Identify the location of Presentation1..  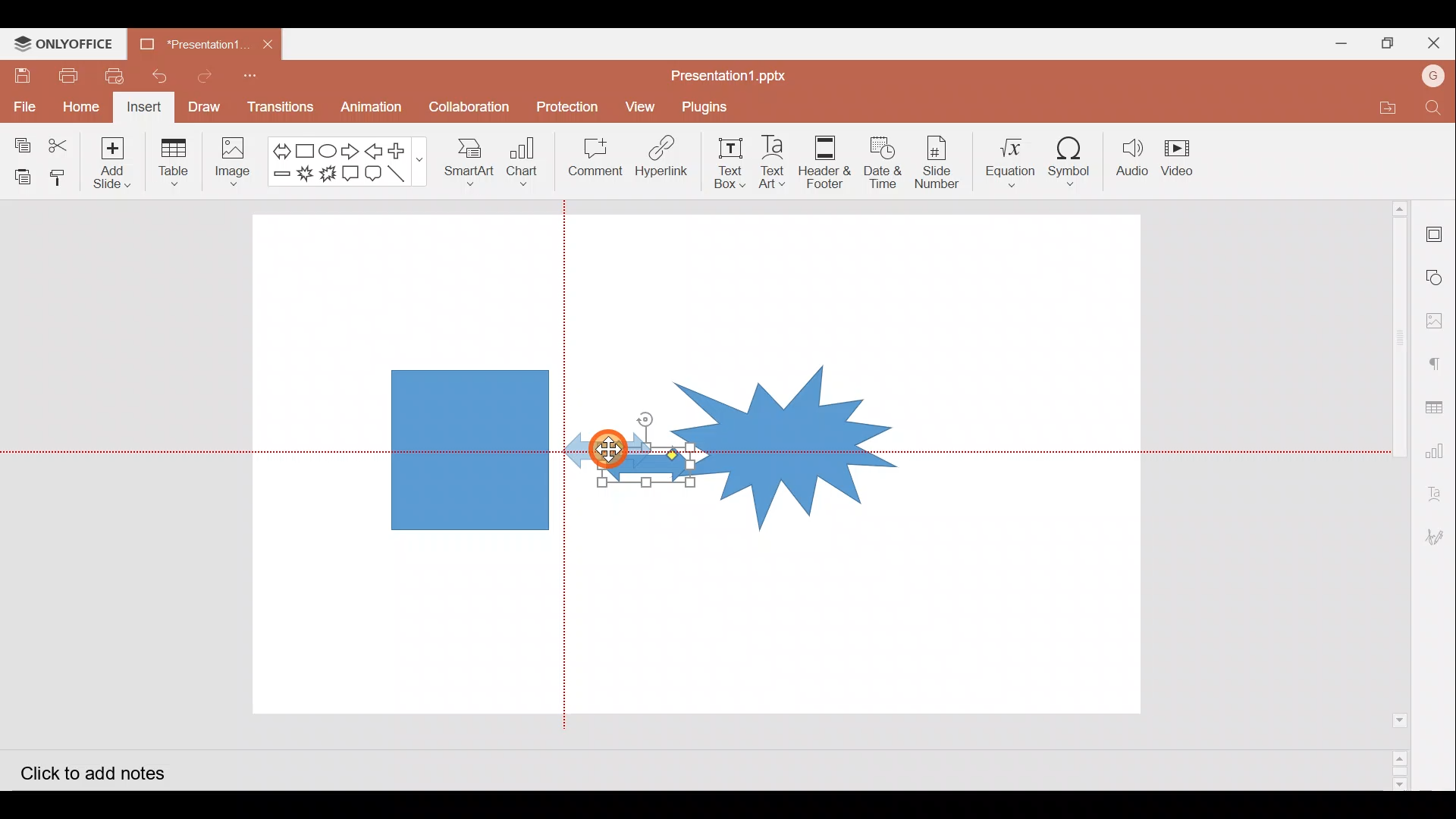
(192, 41).